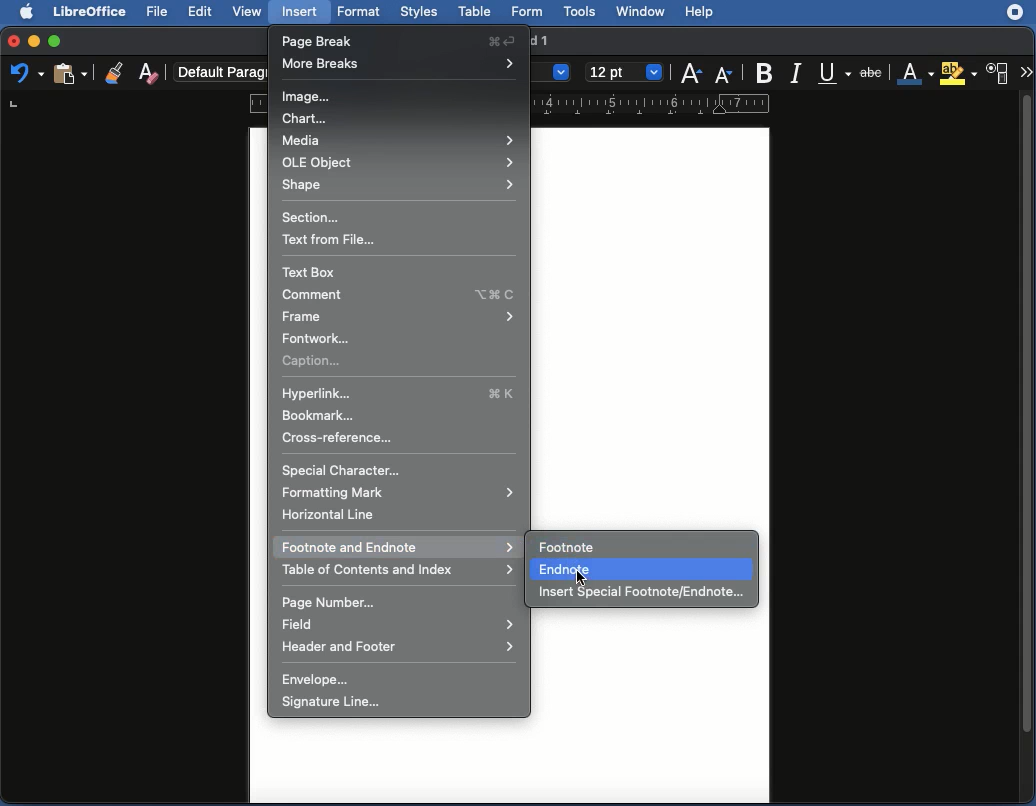  What do you see at coordinates (637, 13) in the screenshot?
I see `window` at bounding box center [637, 13].